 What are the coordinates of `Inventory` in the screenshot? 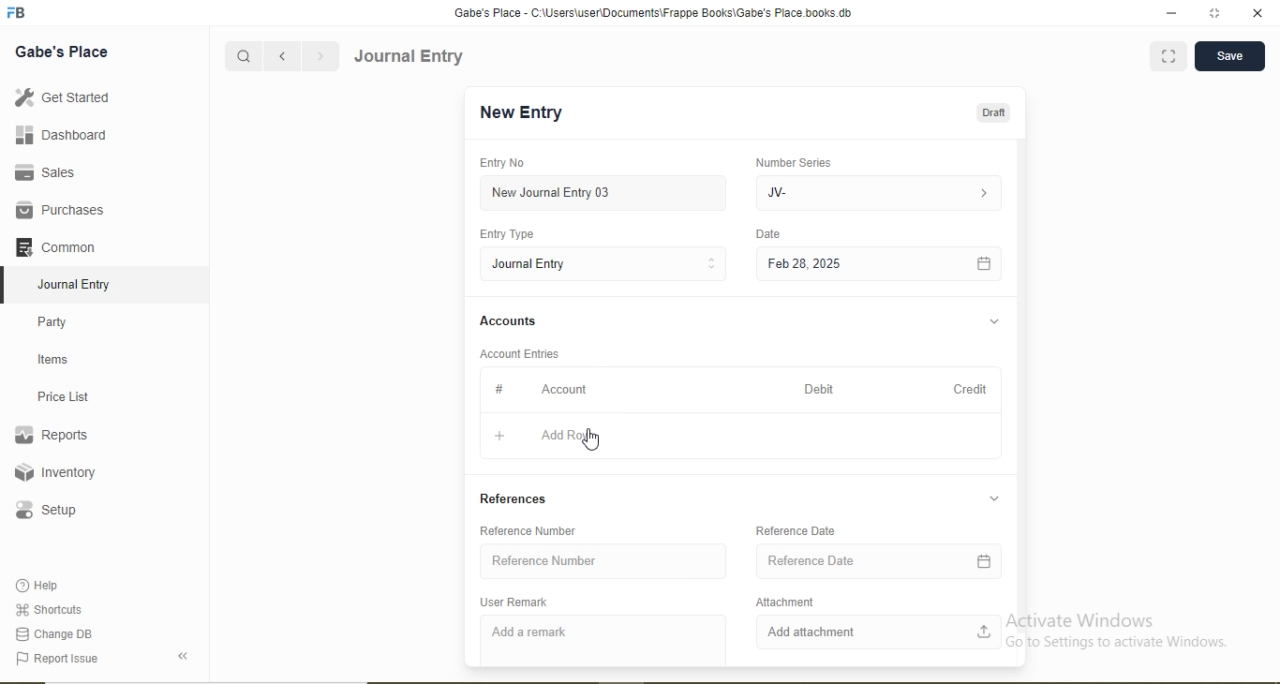 It's located at (56, 472).